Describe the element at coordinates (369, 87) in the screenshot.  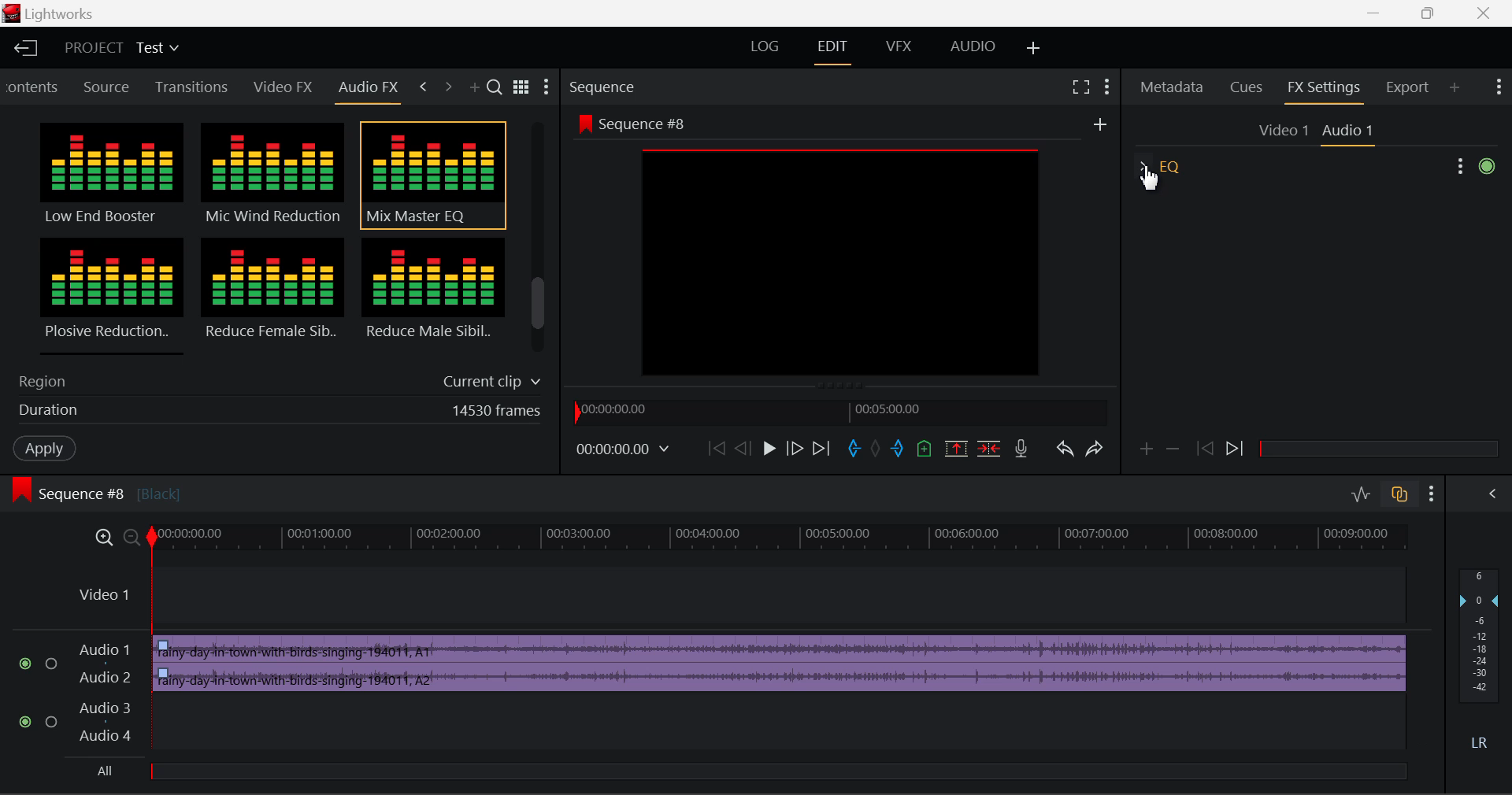
I see `Audio FX ` at that location.